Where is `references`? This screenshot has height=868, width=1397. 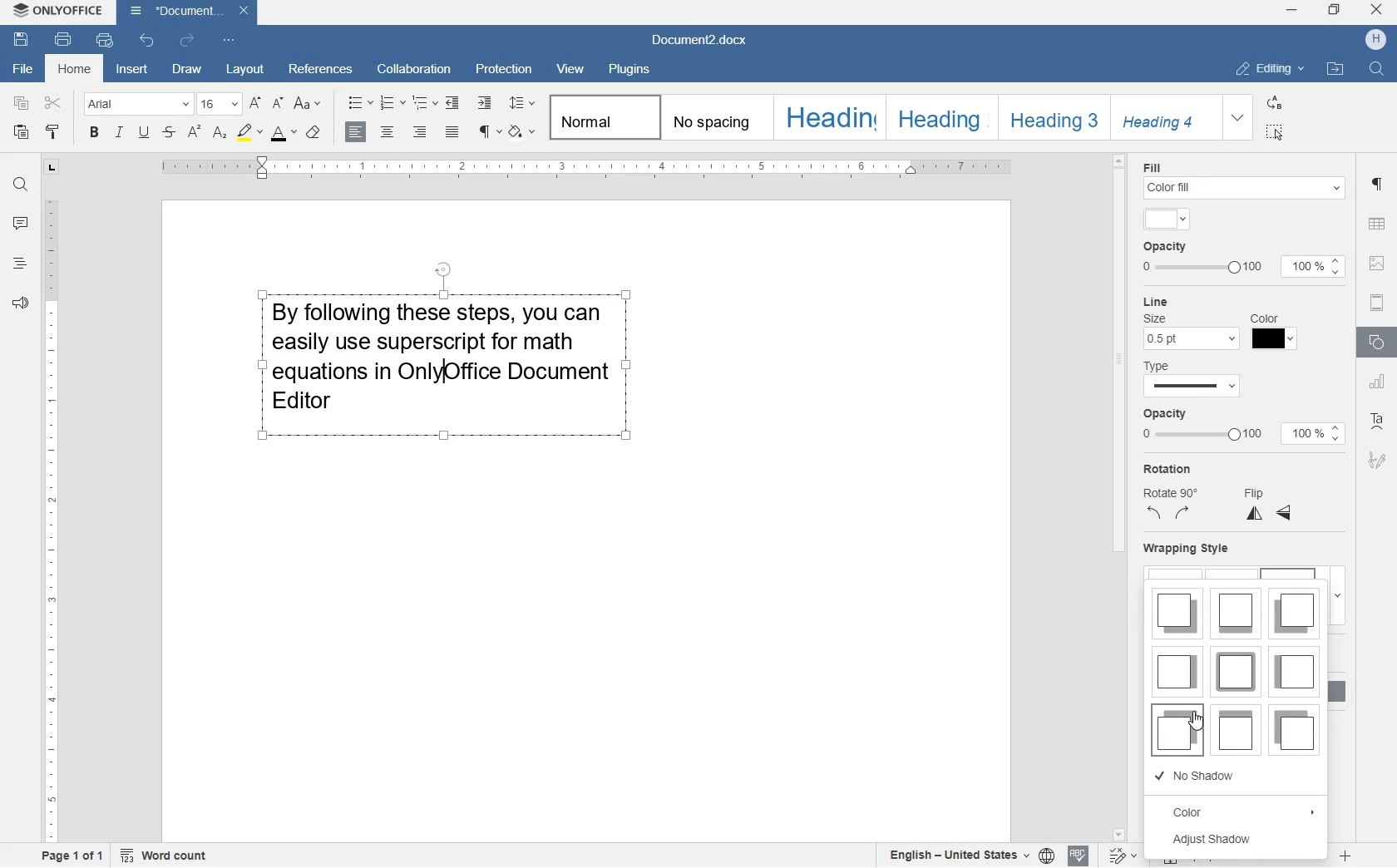
references is located at coordinates (321, 72).